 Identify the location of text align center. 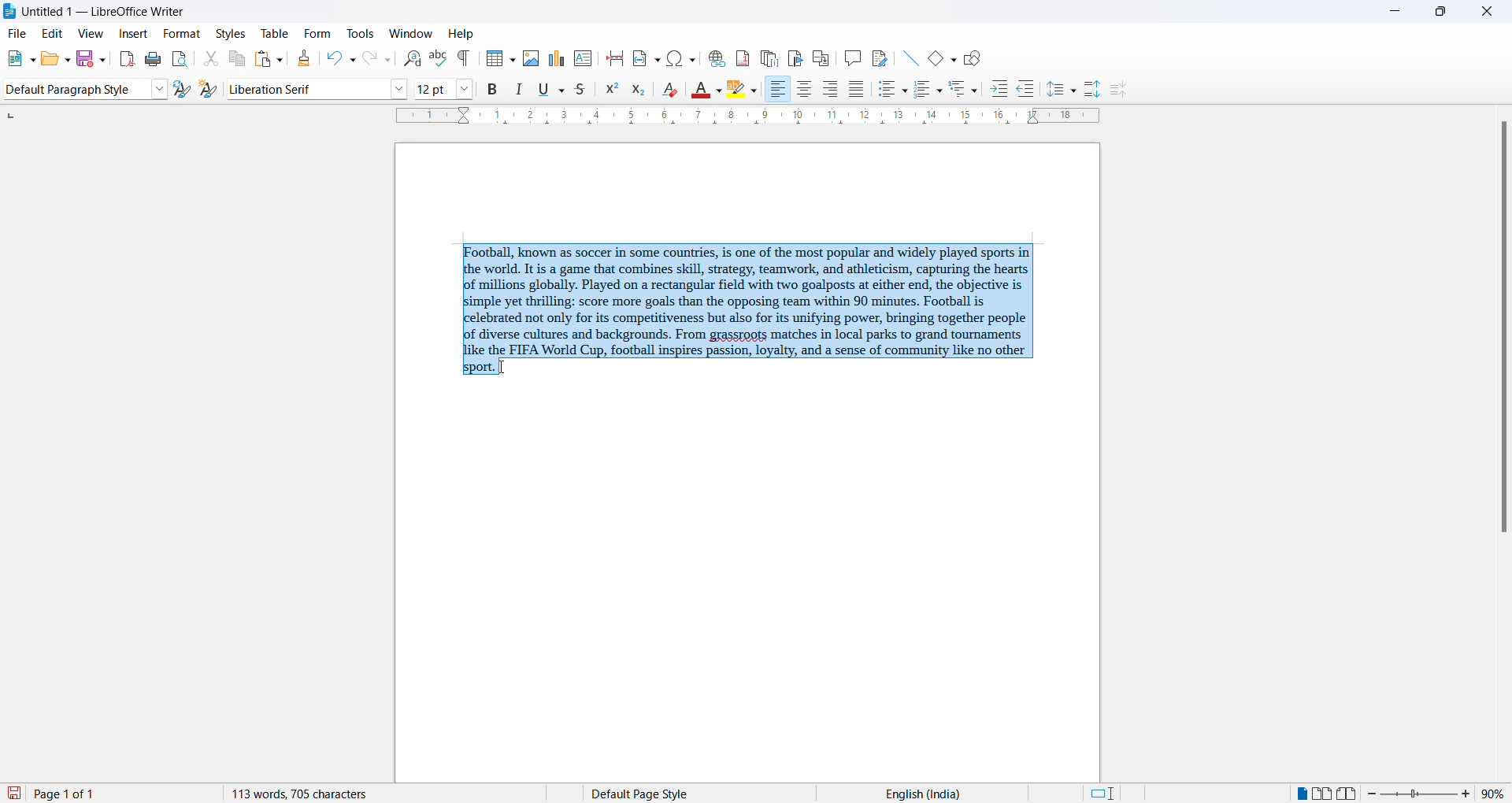
(831, 90).